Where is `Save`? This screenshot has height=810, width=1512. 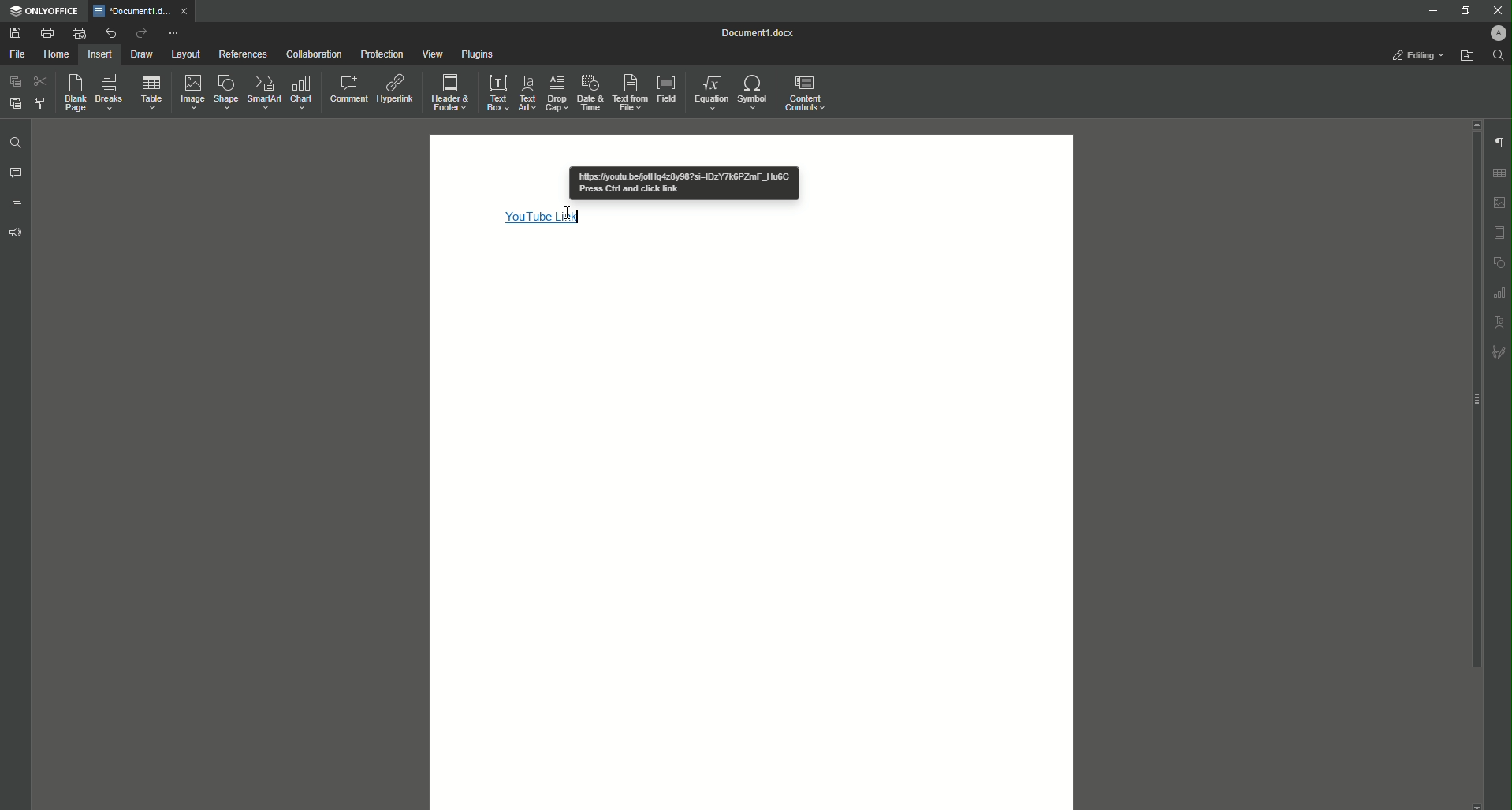
Save is located at coordinates (14, 32).